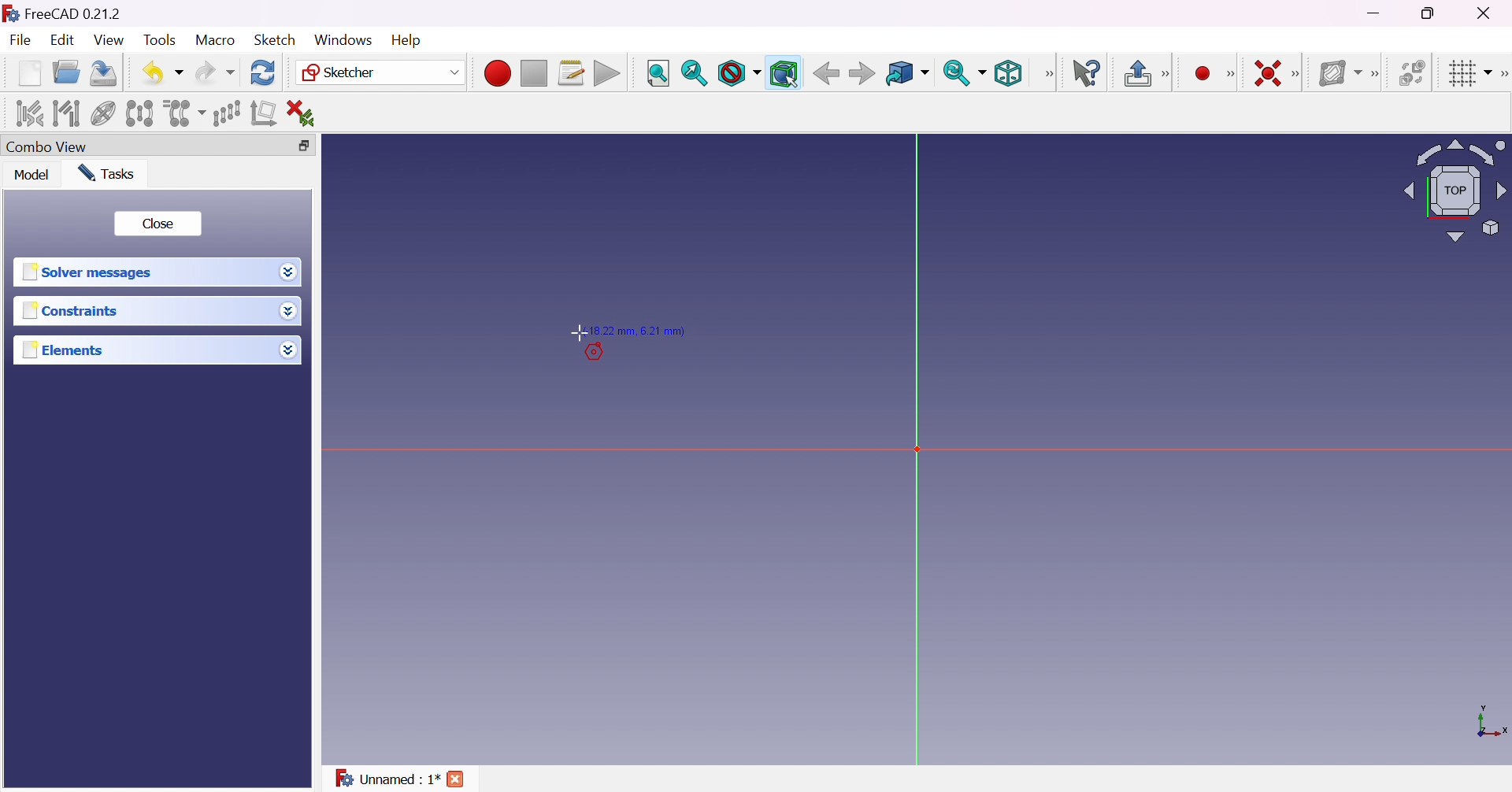 This screenshot has width=1512, height=792. What do you see at coordinates (109, 40) in the screenshot?
I see `View` at bounding box center [109, 40].